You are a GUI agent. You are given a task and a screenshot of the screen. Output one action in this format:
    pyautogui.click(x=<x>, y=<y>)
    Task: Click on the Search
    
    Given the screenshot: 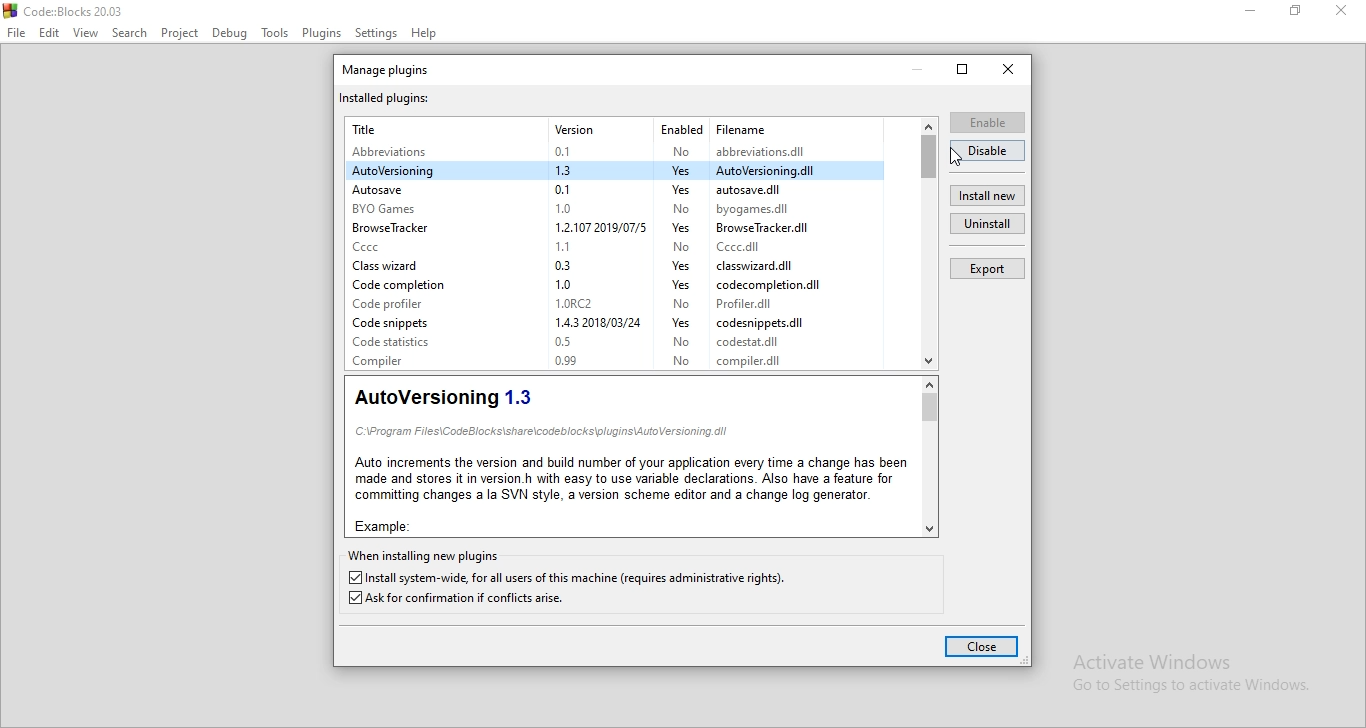 What is the action you would take?
    pyautogui.click(x=128, y=34)
    